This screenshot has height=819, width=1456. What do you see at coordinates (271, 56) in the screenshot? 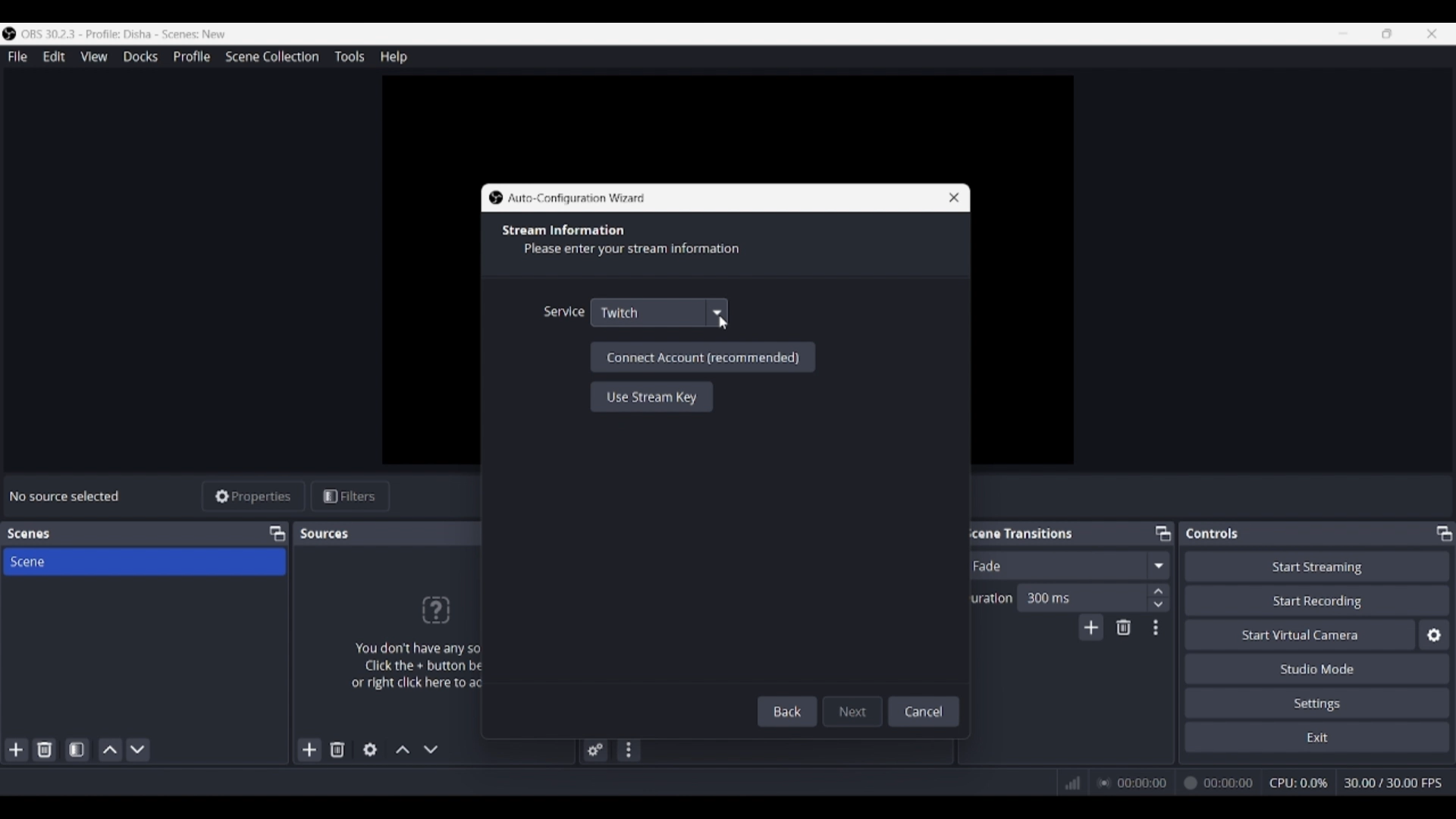
I see `Scene collection menu` at bounding box center [271, 56].